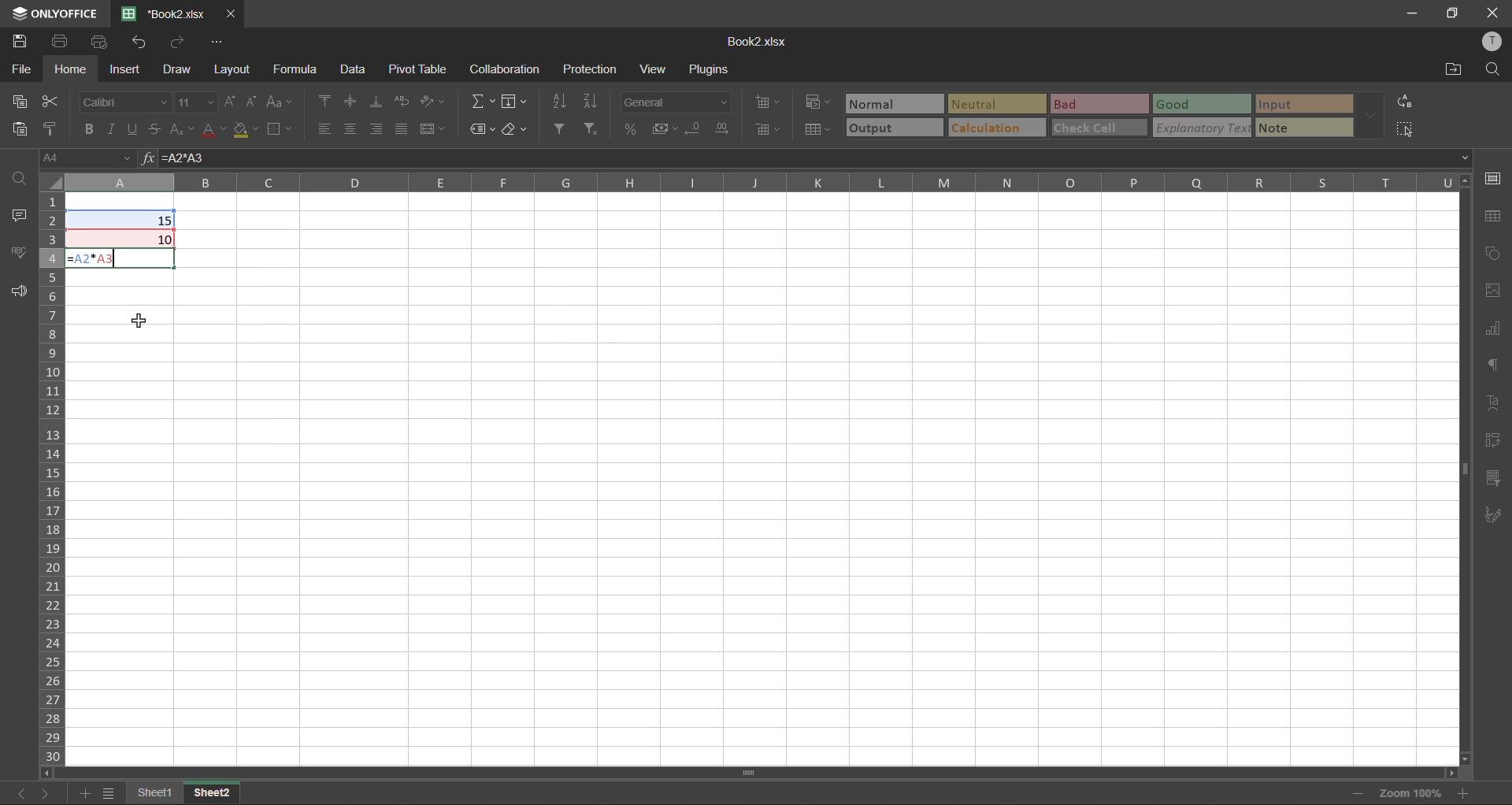  What do you see at coordinates (302, 69) in the screenshot?
I see `formula` at bounding box center [302, 69].